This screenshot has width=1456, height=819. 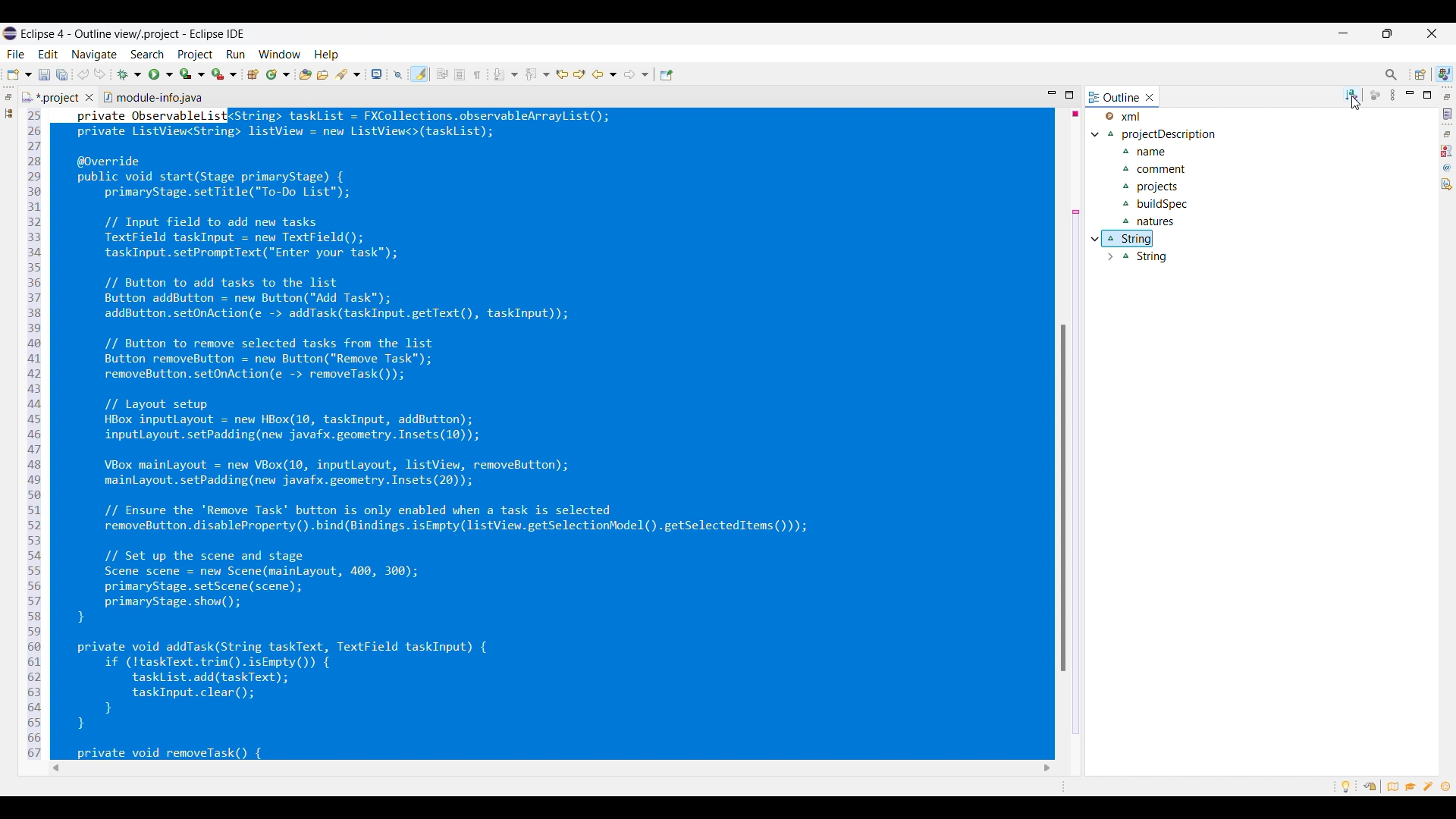 What do you see at coordinates (538, 74) in the screenshot?
I see `Previous annotation` at bounding box center [538, 74].